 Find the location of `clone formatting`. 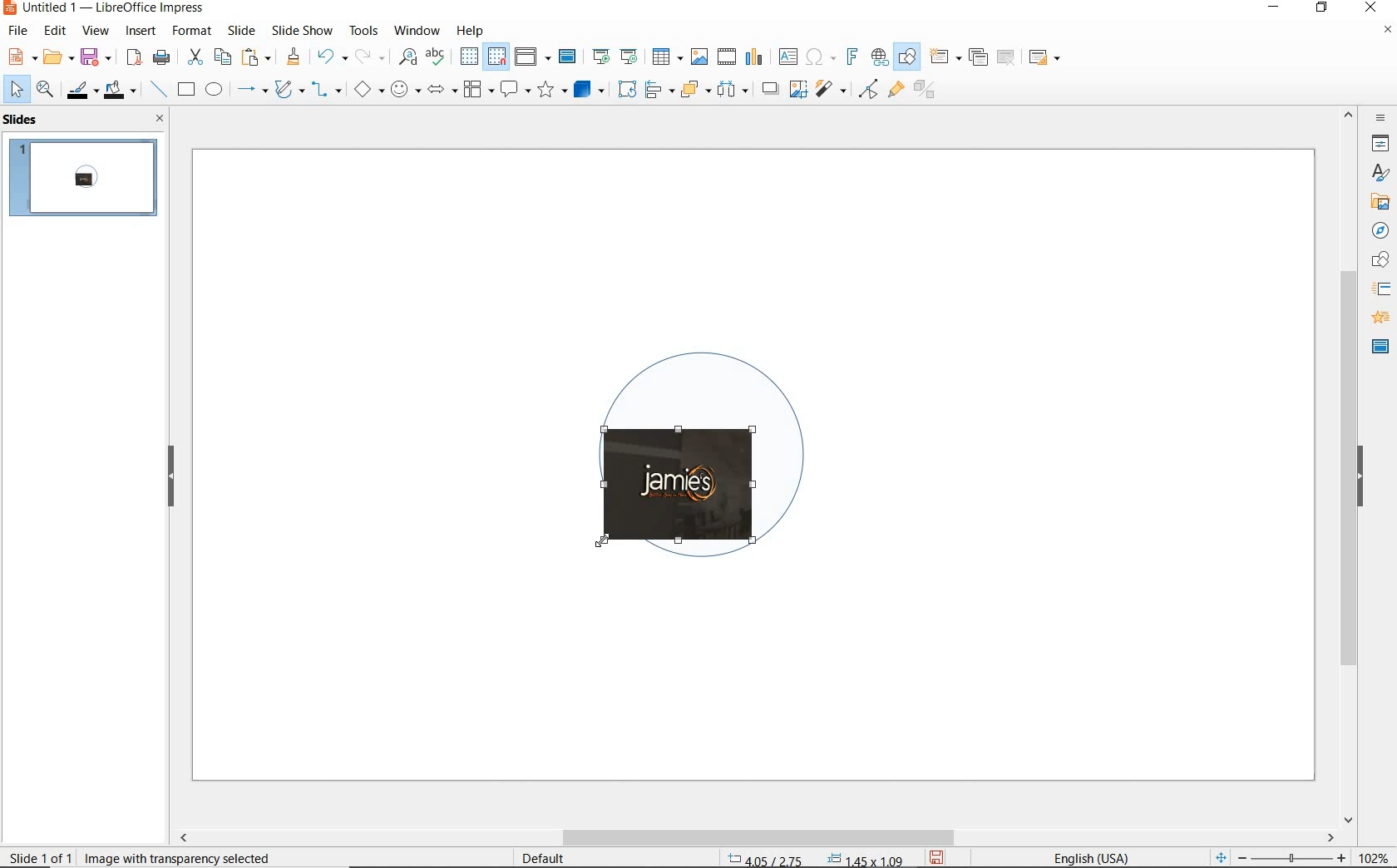

clone formatting is located at coordinates (294, 57).